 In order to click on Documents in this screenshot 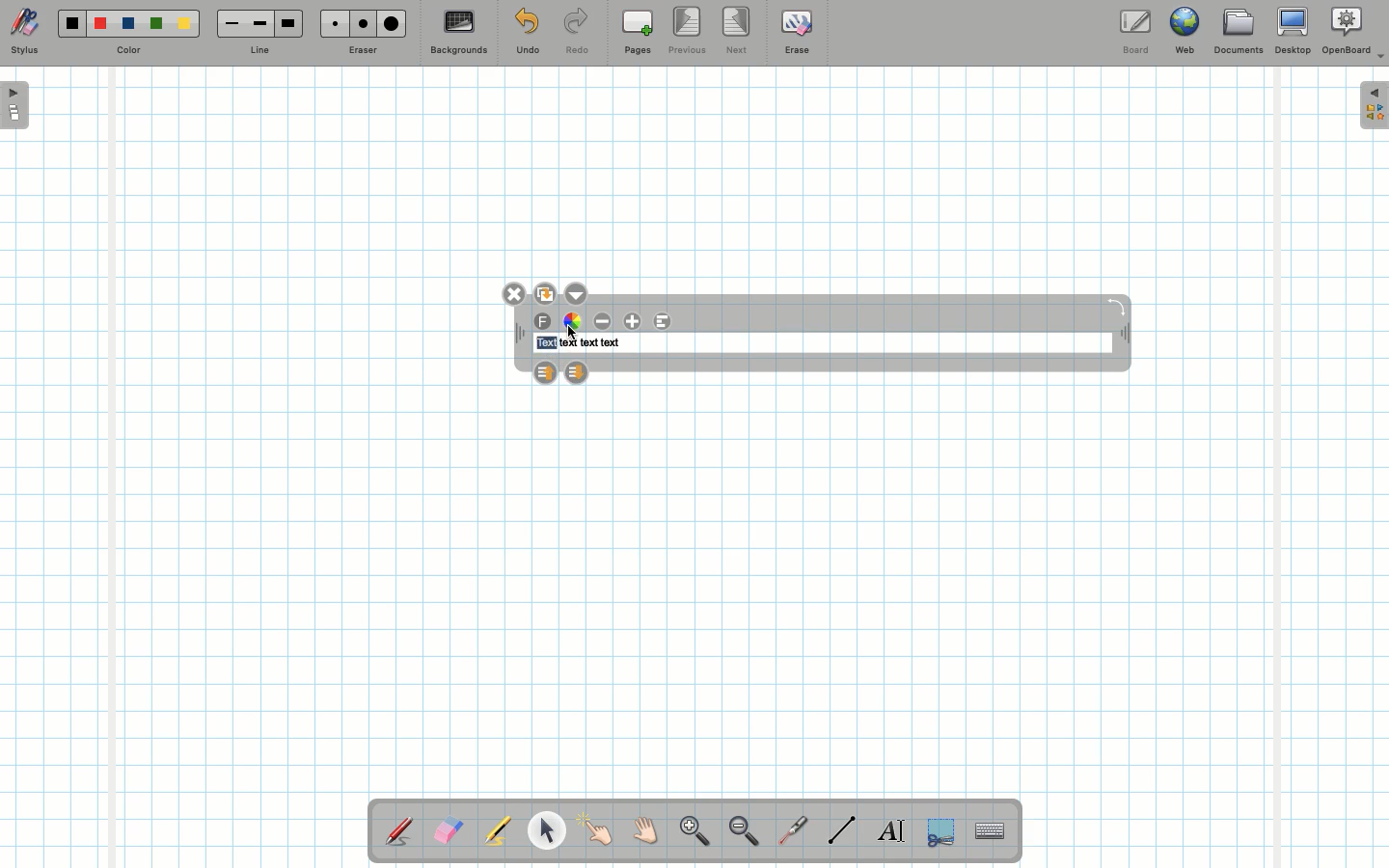, I will do `click(1238, 34)`.